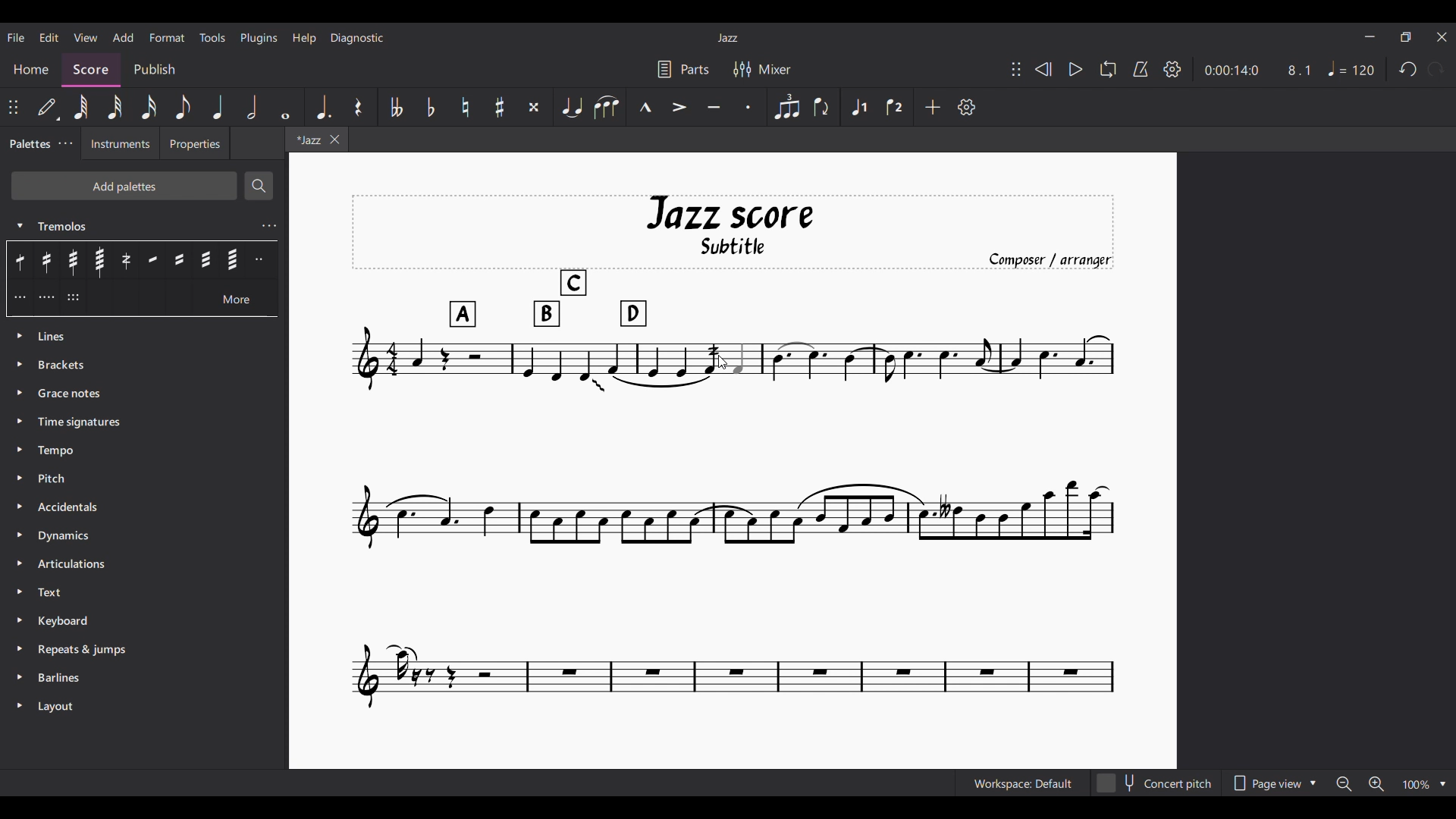 This screenshot has height=819, width=1456. What do you see at coordinates (142, 621) in the screenshot?
I see `Keyboard ` at bounding box center [142, 621].